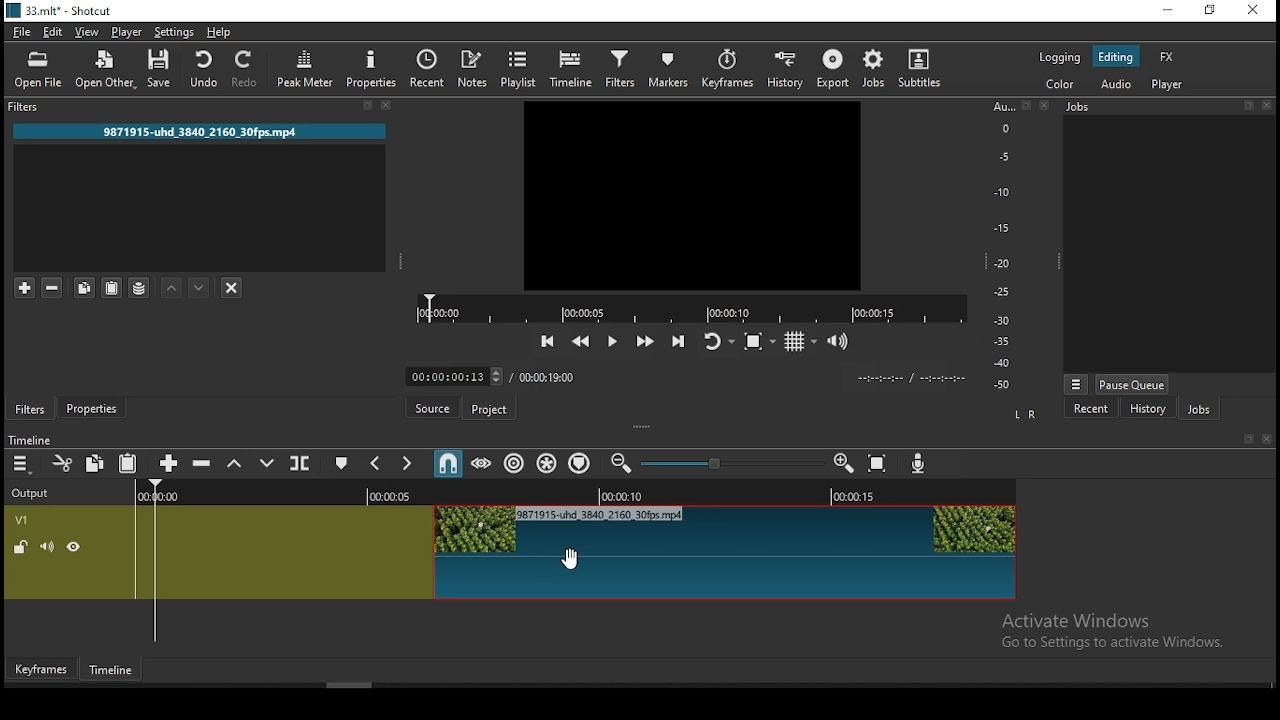 This screenshot has height=720, width=1280. I want to click on history, so click(1146, 408).